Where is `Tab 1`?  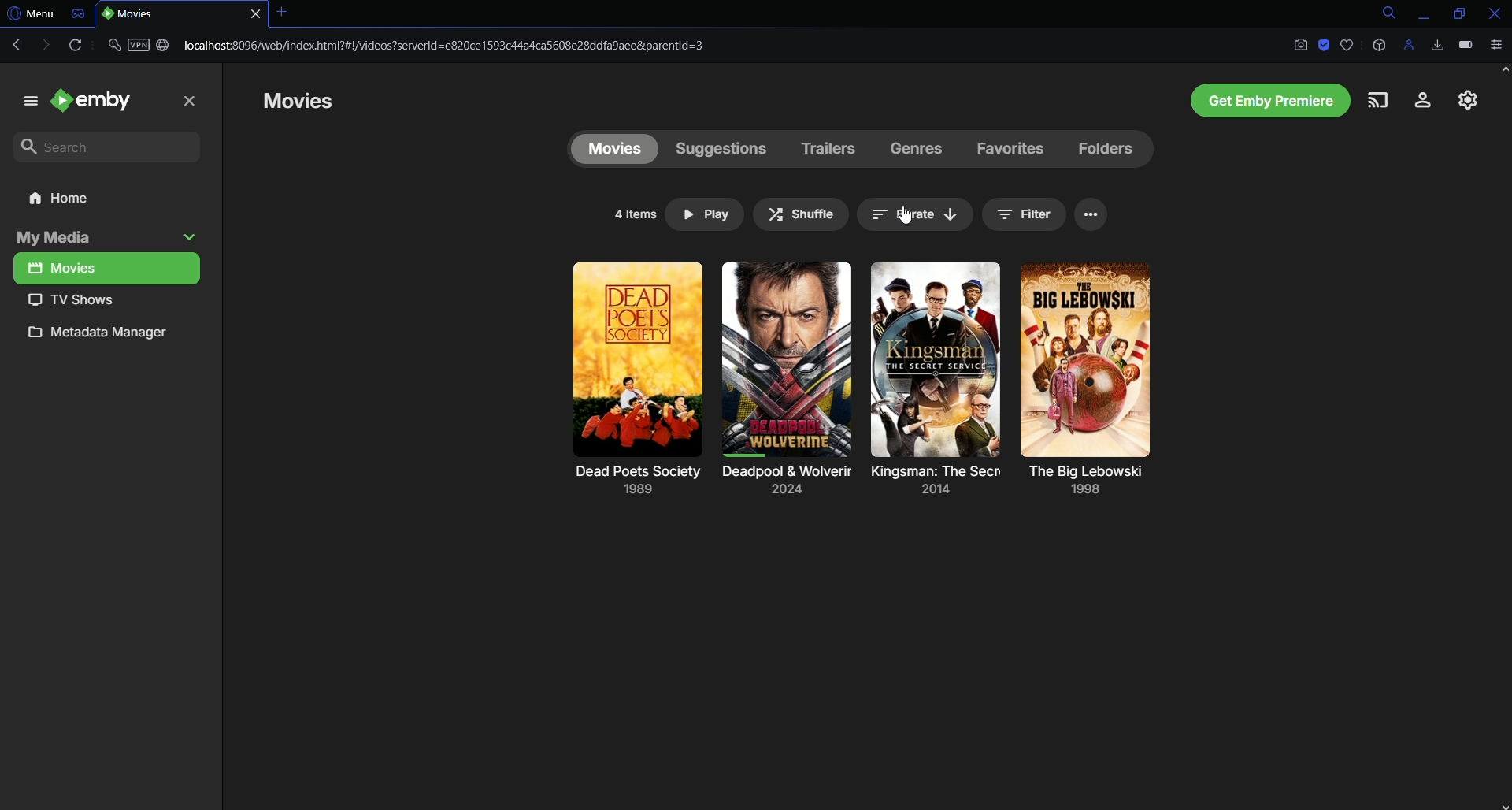
Tab 1 is located at coordinates (182, 14).